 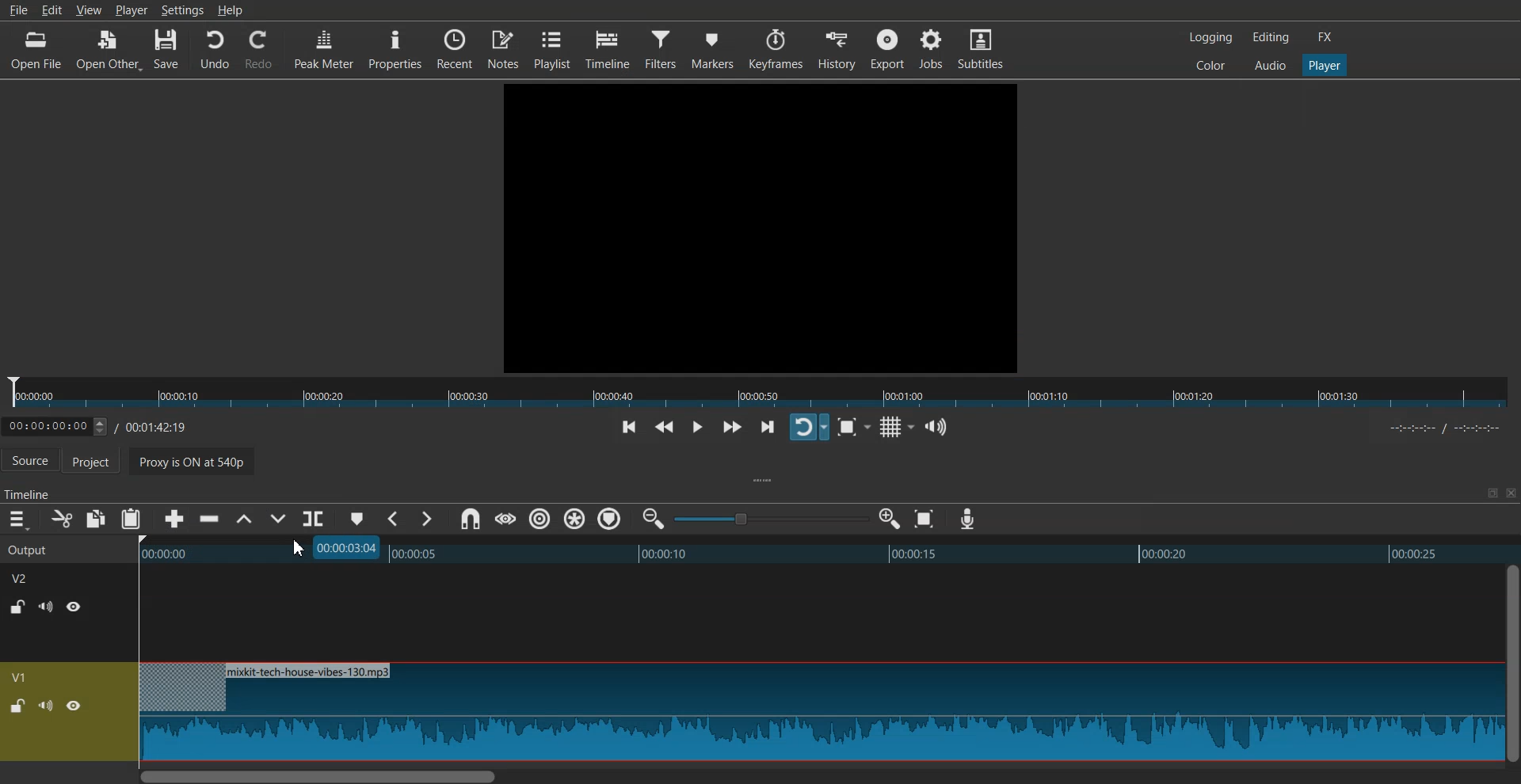 What do you see at coordinates (425, 519) in the screenshot?
I see `Next Marker` at bounding box center [425, 519].